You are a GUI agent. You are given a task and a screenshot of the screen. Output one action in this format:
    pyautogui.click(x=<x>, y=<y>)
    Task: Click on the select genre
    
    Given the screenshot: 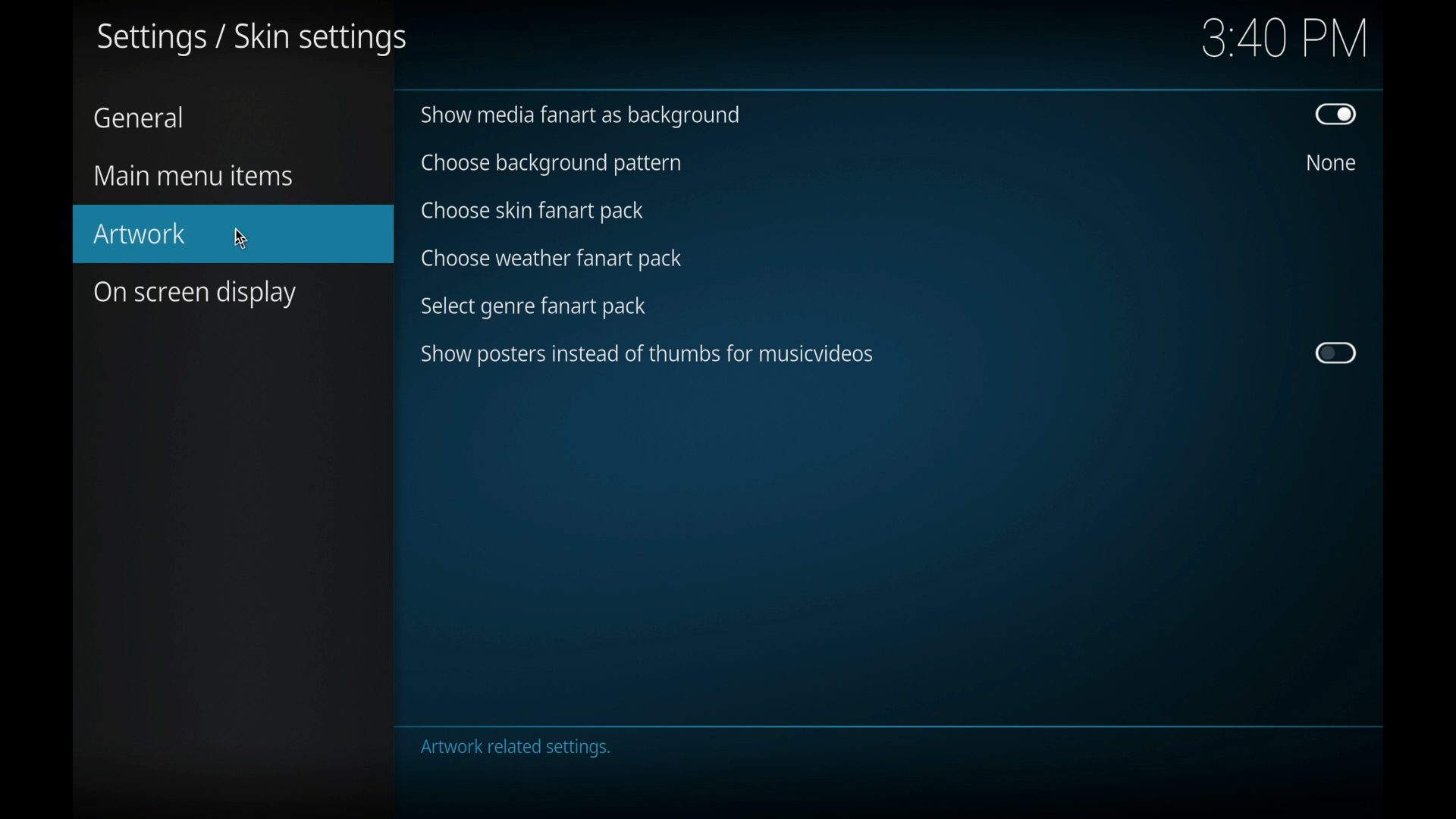 What is the action you would take?
    pyautogui.click(x=535, y=308)
    